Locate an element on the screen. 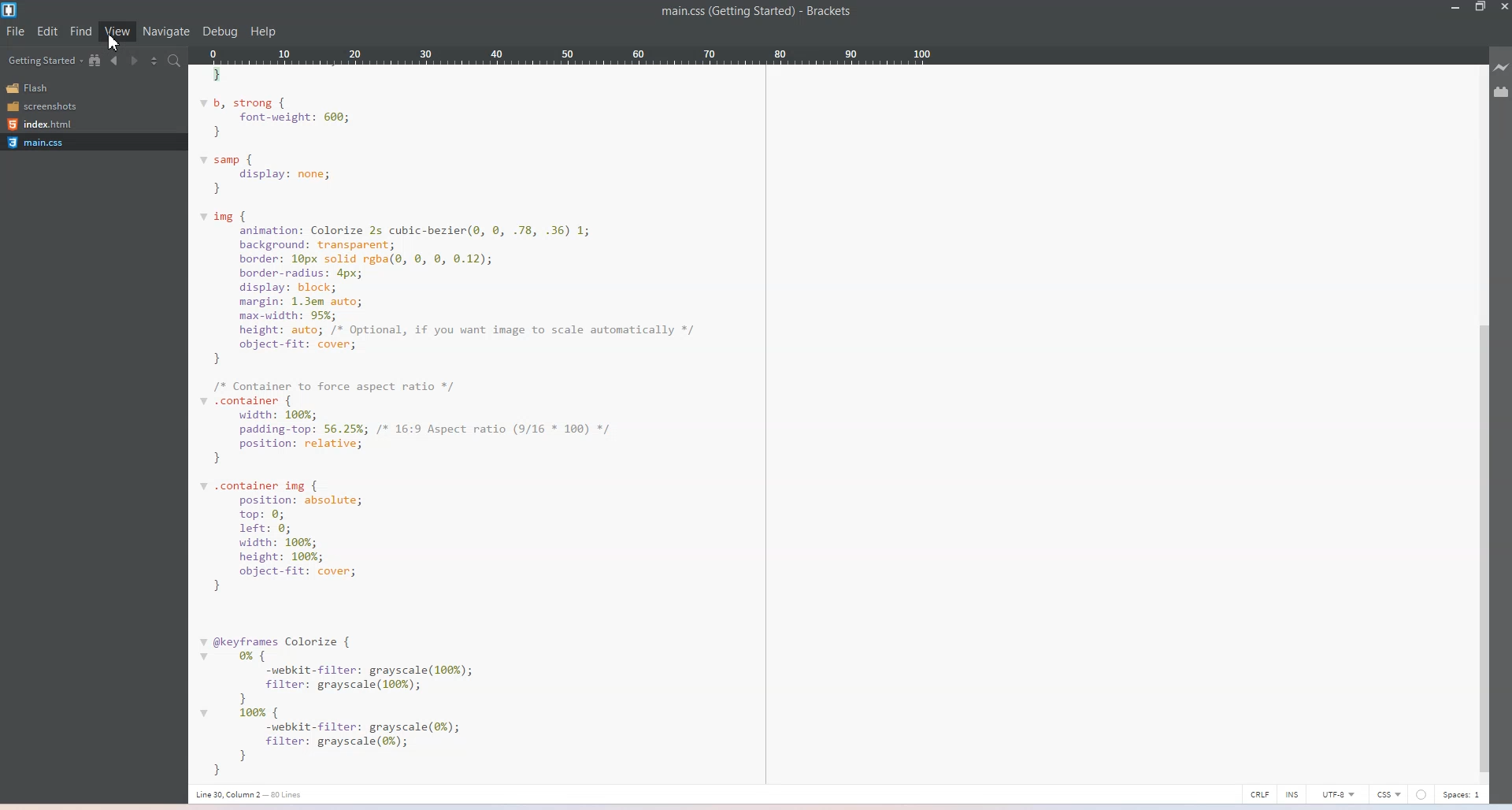 The height and width of the screenshot is (810, 1512). b, strong {
font-weight: 600;
}
samp {
display: none;
}
img {
animation: Colorize 2s cubic-bezier(@, 0, .78, .36) 1;
background: transparent;
border: 10px solid rgba(0, ©, 0, 0.12);
border-radius: 4px;
display: block;
margin: 1.3em auto;
max-width: 95%;
height: auto; /* Optional, if you want image to scale automatically */
object-fit: cover;
}
/* Container to force aspect ratio */
container {
width: 100%;
padding-top: 56.25%; /* 16:9 Aspect ratio (9/16 * 100) */
position: relative;
}
container ing {
position: absolute;
top: 8;
left: 6;
width: 100%;
height: 100%;
object-fit: cover;
}
@keyframes Colorize {
0% {
-webkit-filter: grayscale(100%);
filter: grayscale(100%);
}
100% {
-webkit-filter: grayscale(eX);
filter: grayscale(e);
}
} is located at coordinates (465, 424).